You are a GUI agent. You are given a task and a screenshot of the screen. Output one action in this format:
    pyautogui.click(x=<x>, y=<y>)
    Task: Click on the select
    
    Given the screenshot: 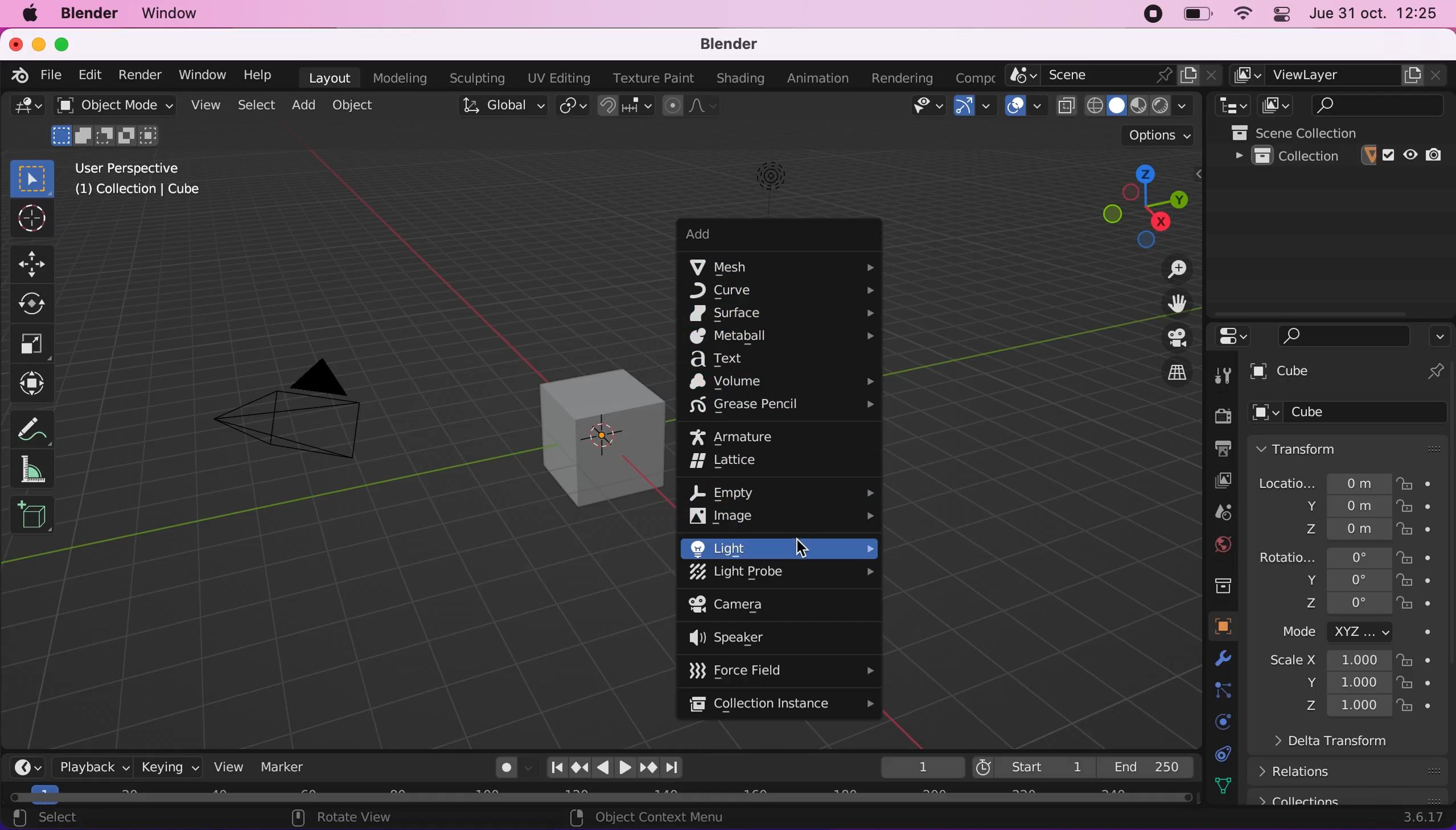 What is the action you would take?
    pyautogui.click(x=258, y=105)
    